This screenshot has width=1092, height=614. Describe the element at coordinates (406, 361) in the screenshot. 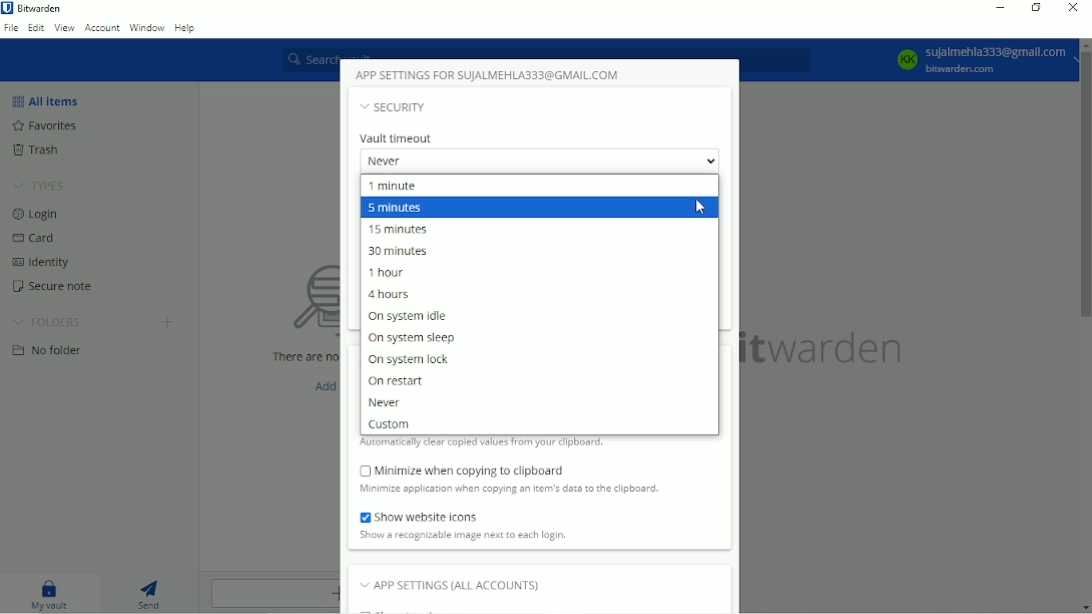

I see `On system lock` at that location.